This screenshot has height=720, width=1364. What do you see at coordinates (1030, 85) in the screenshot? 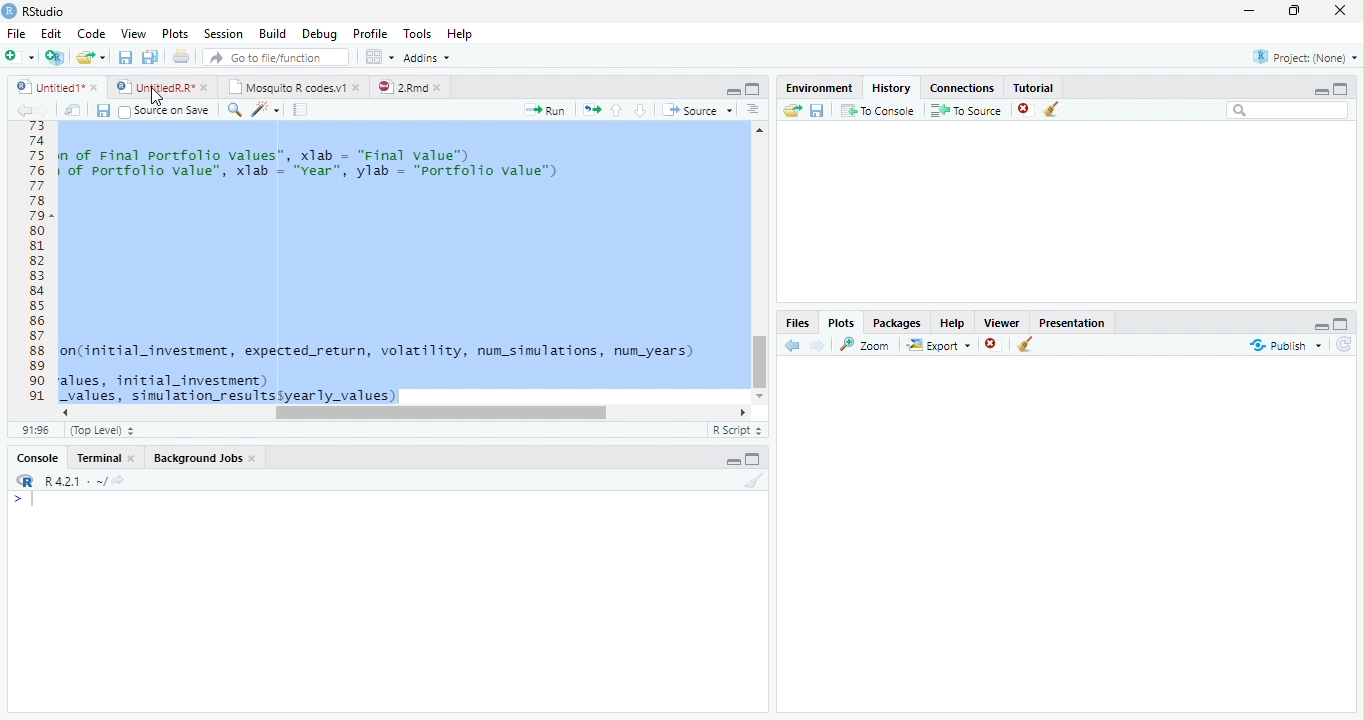
I see `Tutorial` at bounding box center [1030, 85].